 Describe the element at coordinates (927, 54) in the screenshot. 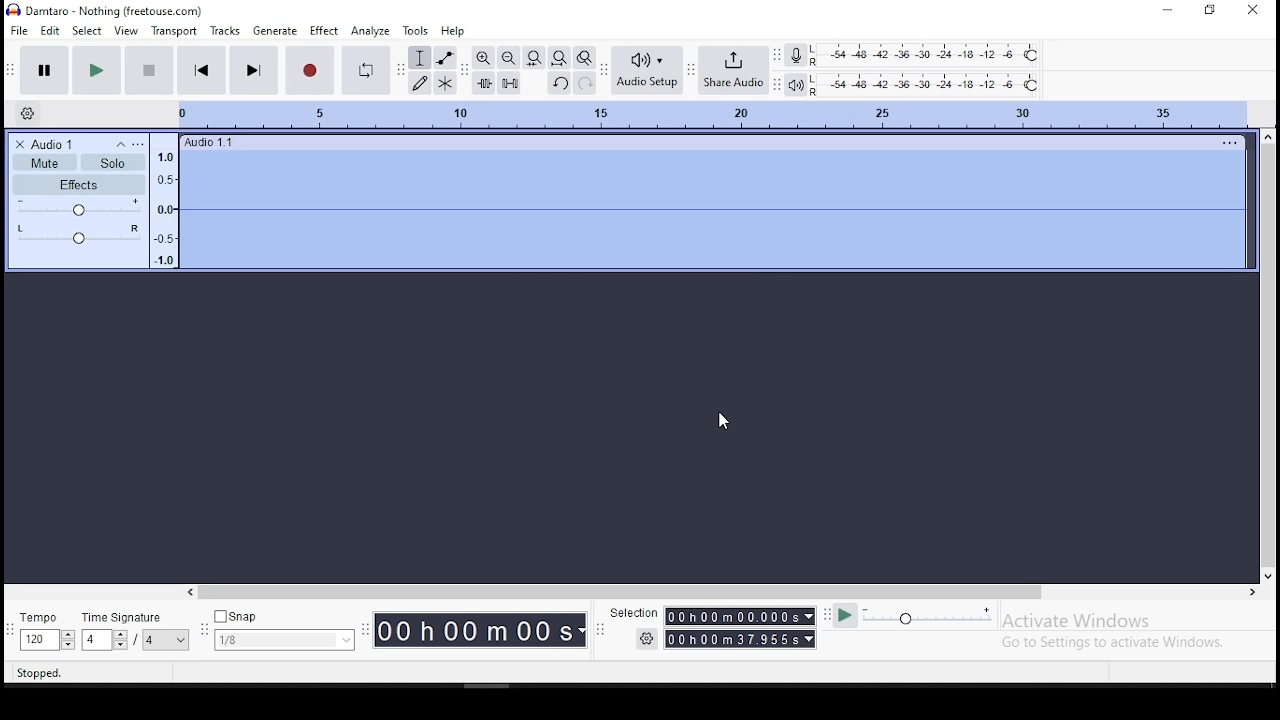

I see `recording level` at that location.